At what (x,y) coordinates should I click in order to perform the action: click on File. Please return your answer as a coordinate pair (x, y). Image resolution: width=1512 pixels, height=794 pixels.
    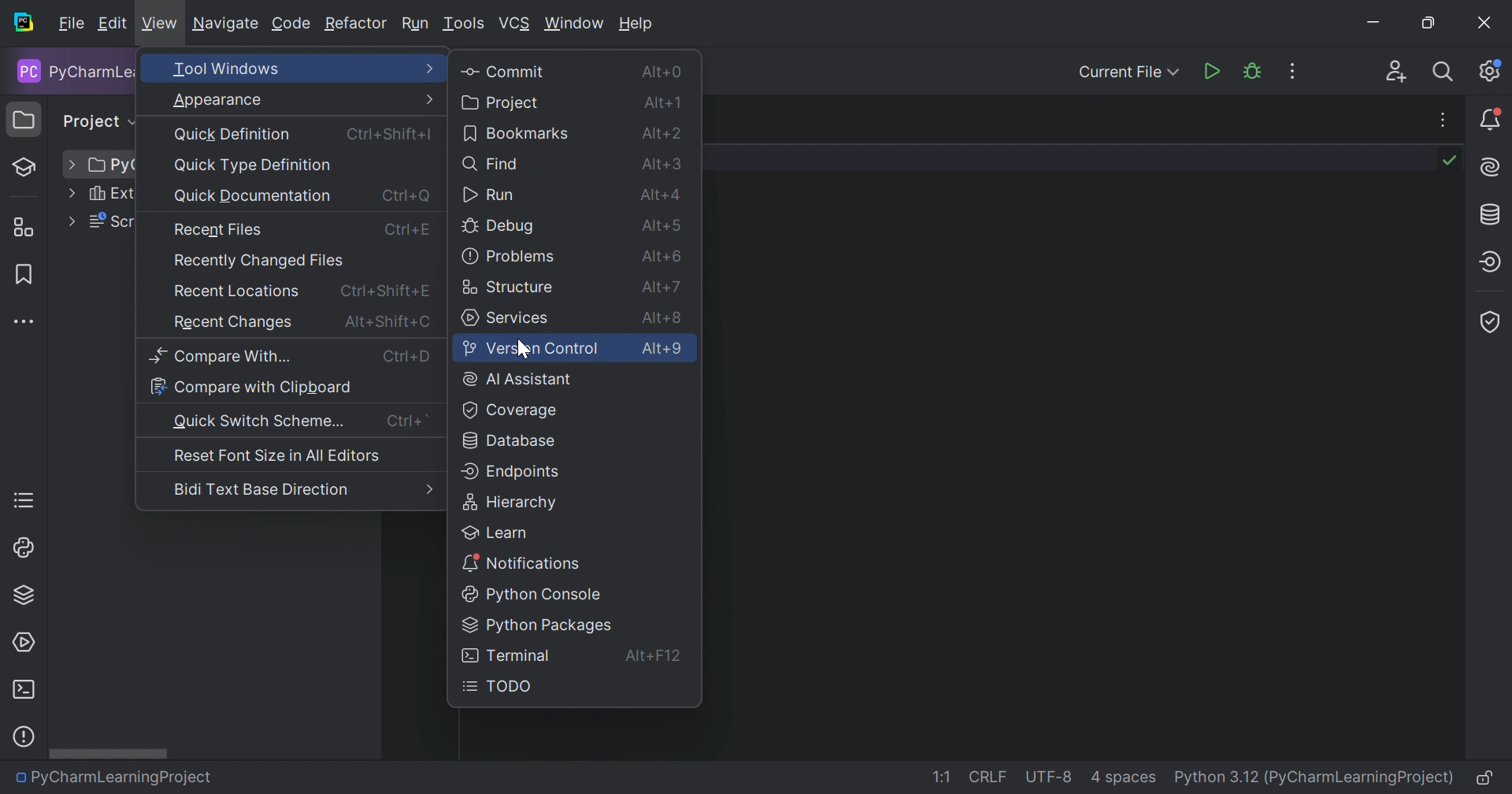
    Looking at the image, I should click on (70, 24).